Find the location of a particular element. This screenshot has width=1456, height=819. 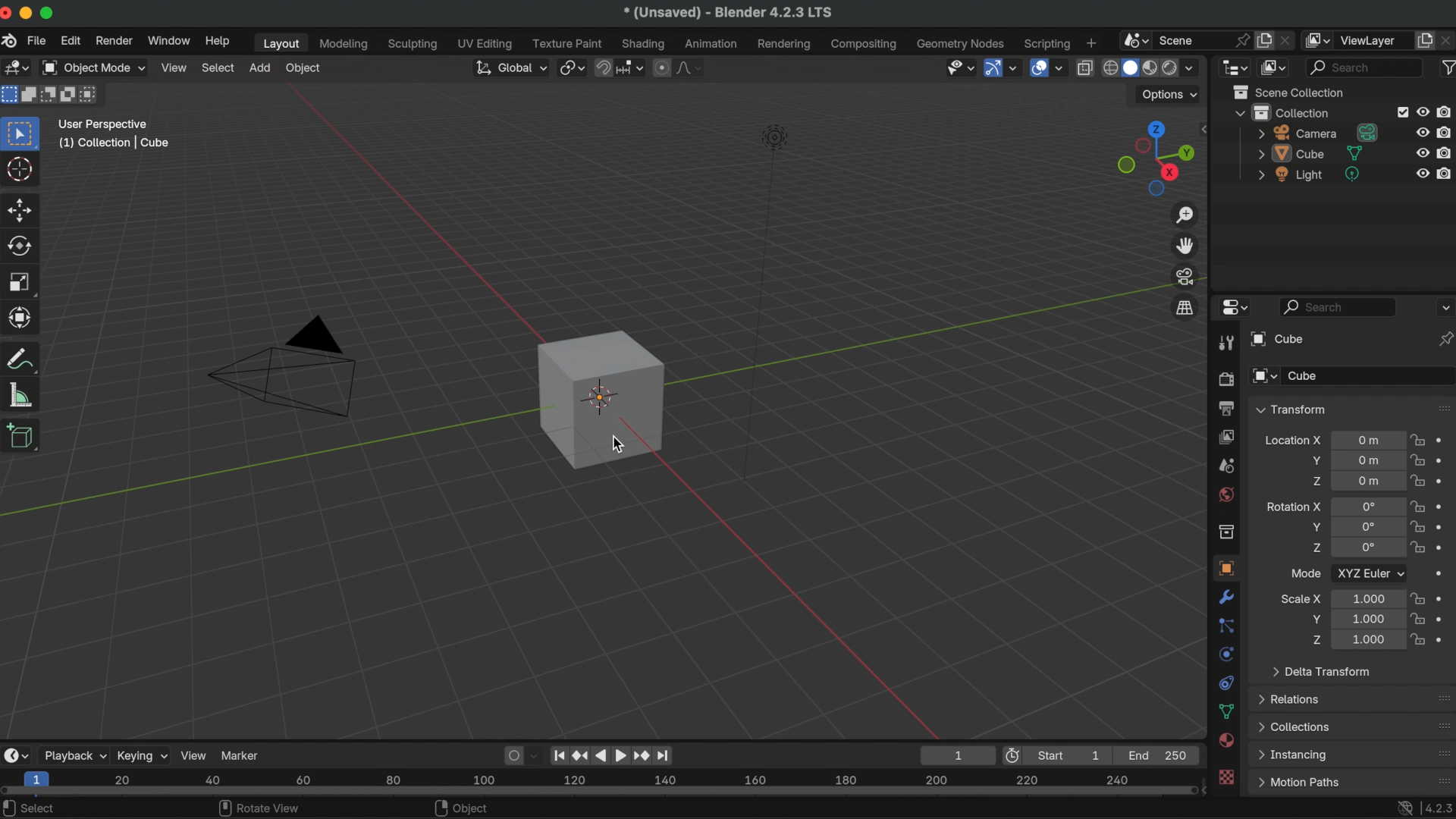

filter icon is located at coordinates (1446, 66).